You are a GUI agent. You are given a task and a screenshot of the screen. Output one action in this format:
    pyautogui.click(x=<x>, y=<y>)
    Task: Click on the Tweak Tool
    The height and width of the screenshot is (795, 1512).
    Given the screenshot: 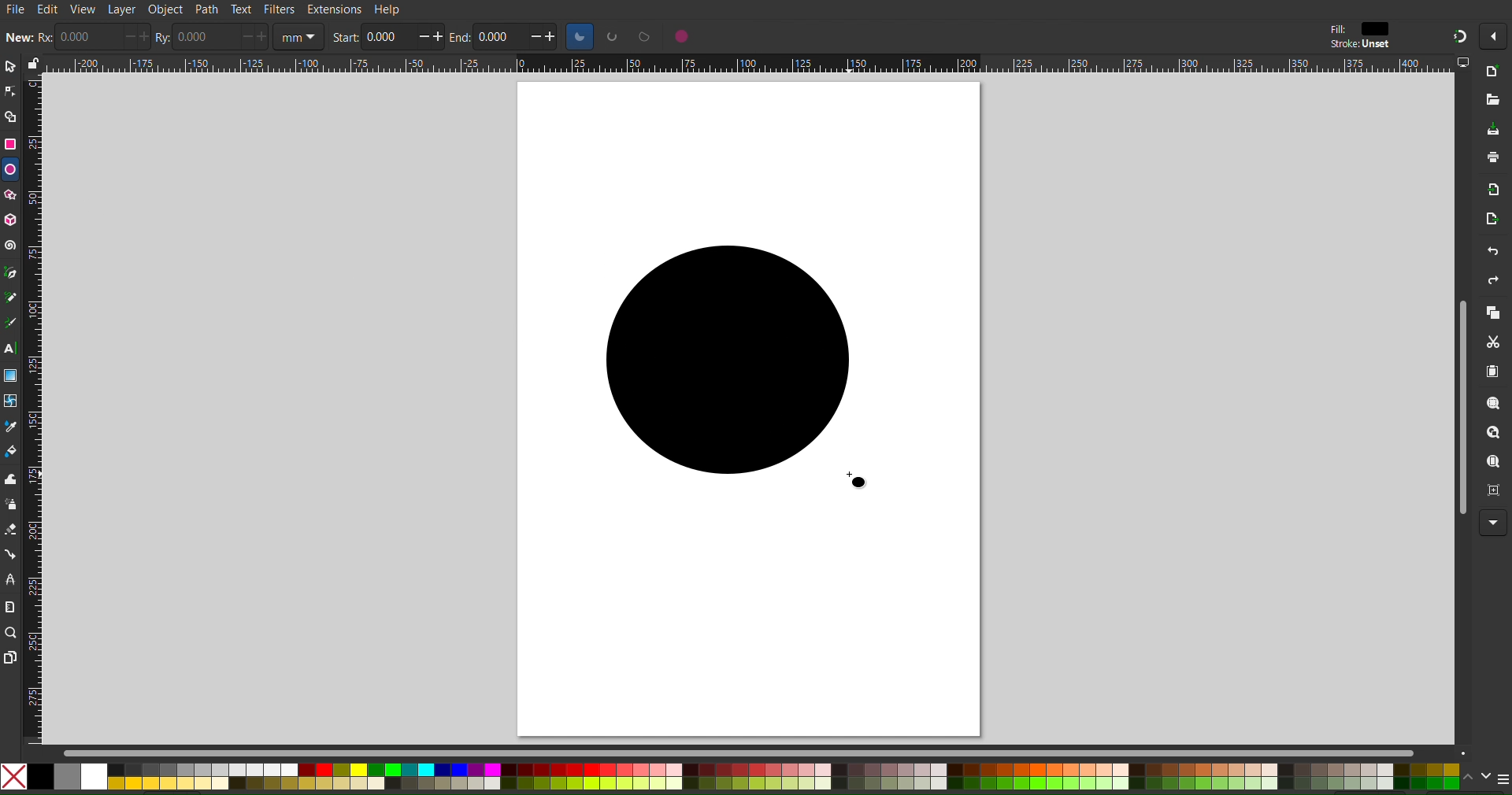 What is the action you would take?
    pyautogui.click(x=10, y=480)
    